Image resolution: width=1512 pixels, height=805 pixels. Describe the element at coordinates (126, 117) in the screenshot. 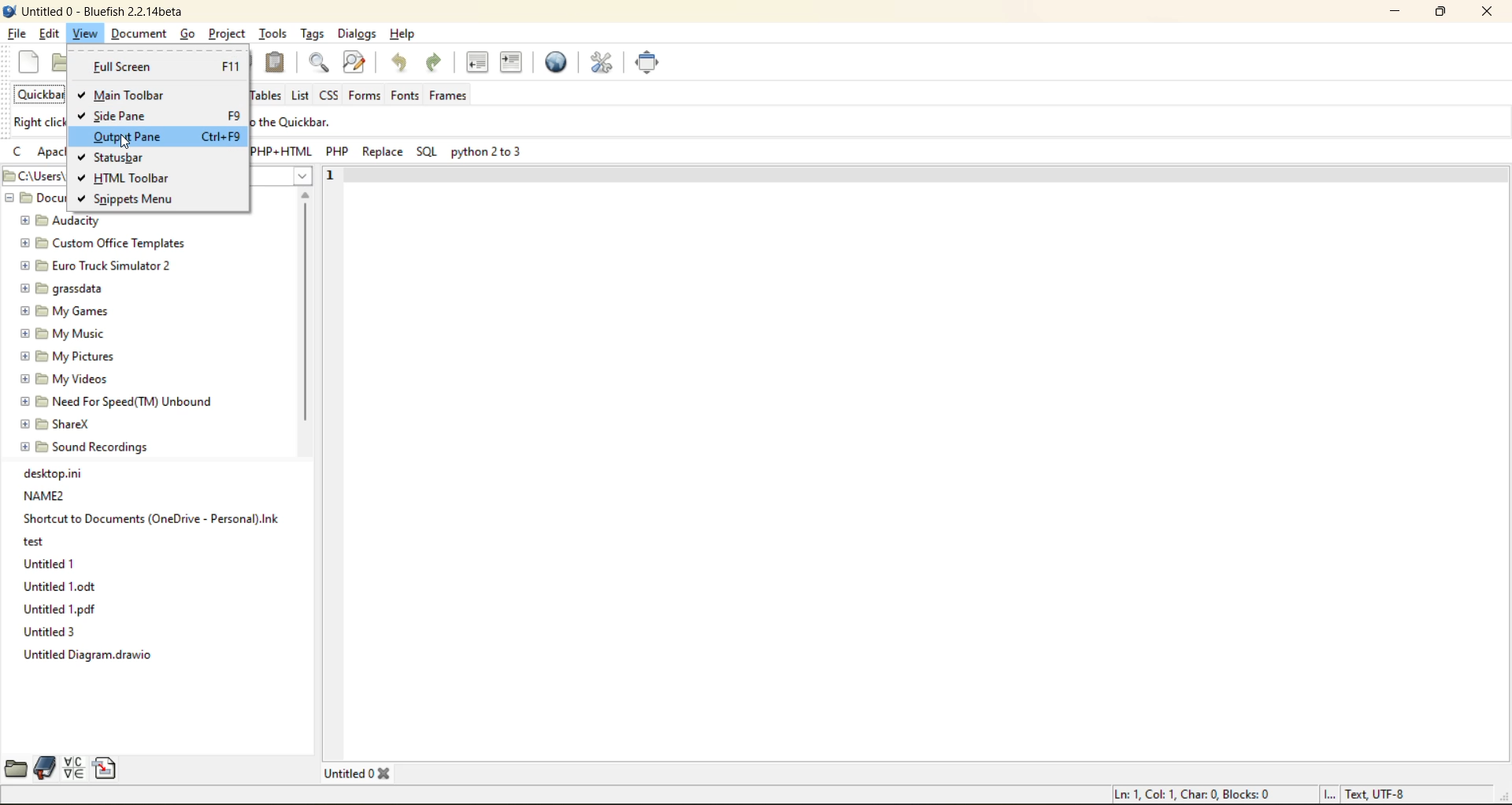

I see `side pane` at that location.